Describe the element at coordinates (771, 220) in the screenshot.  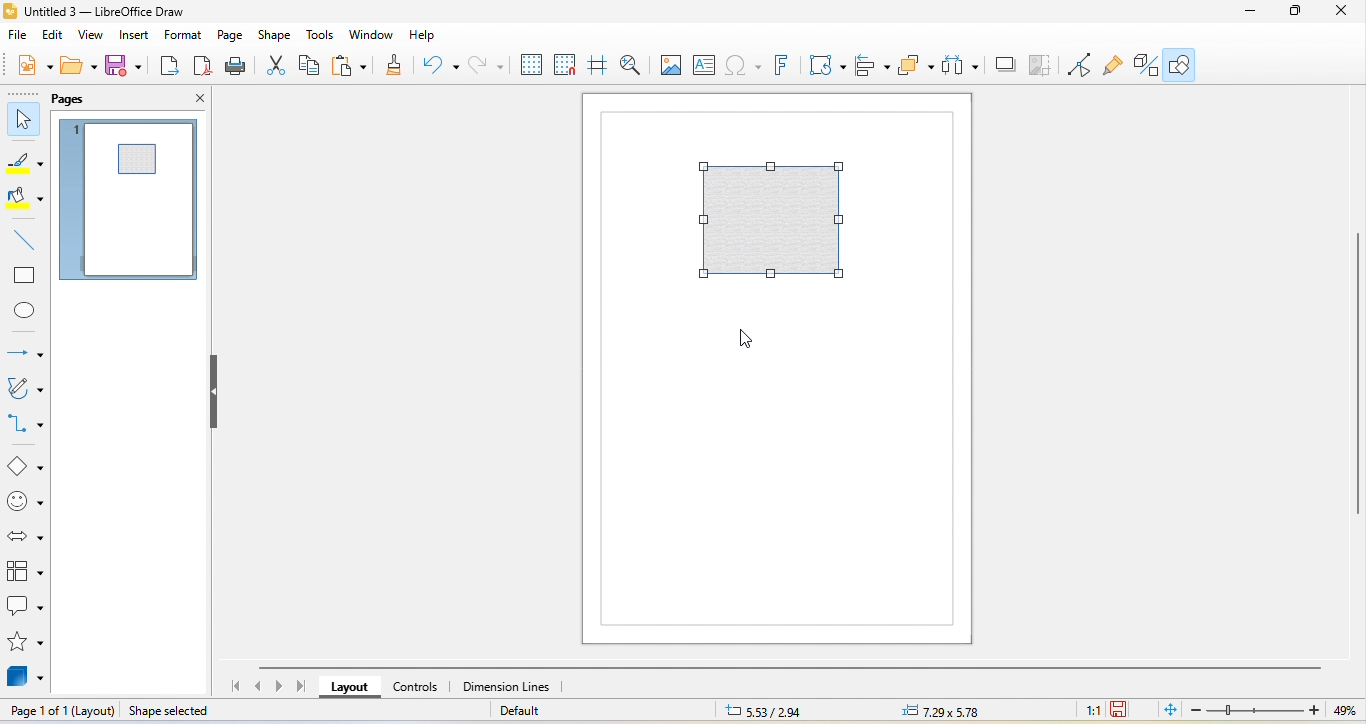
I see `shape` at that location.